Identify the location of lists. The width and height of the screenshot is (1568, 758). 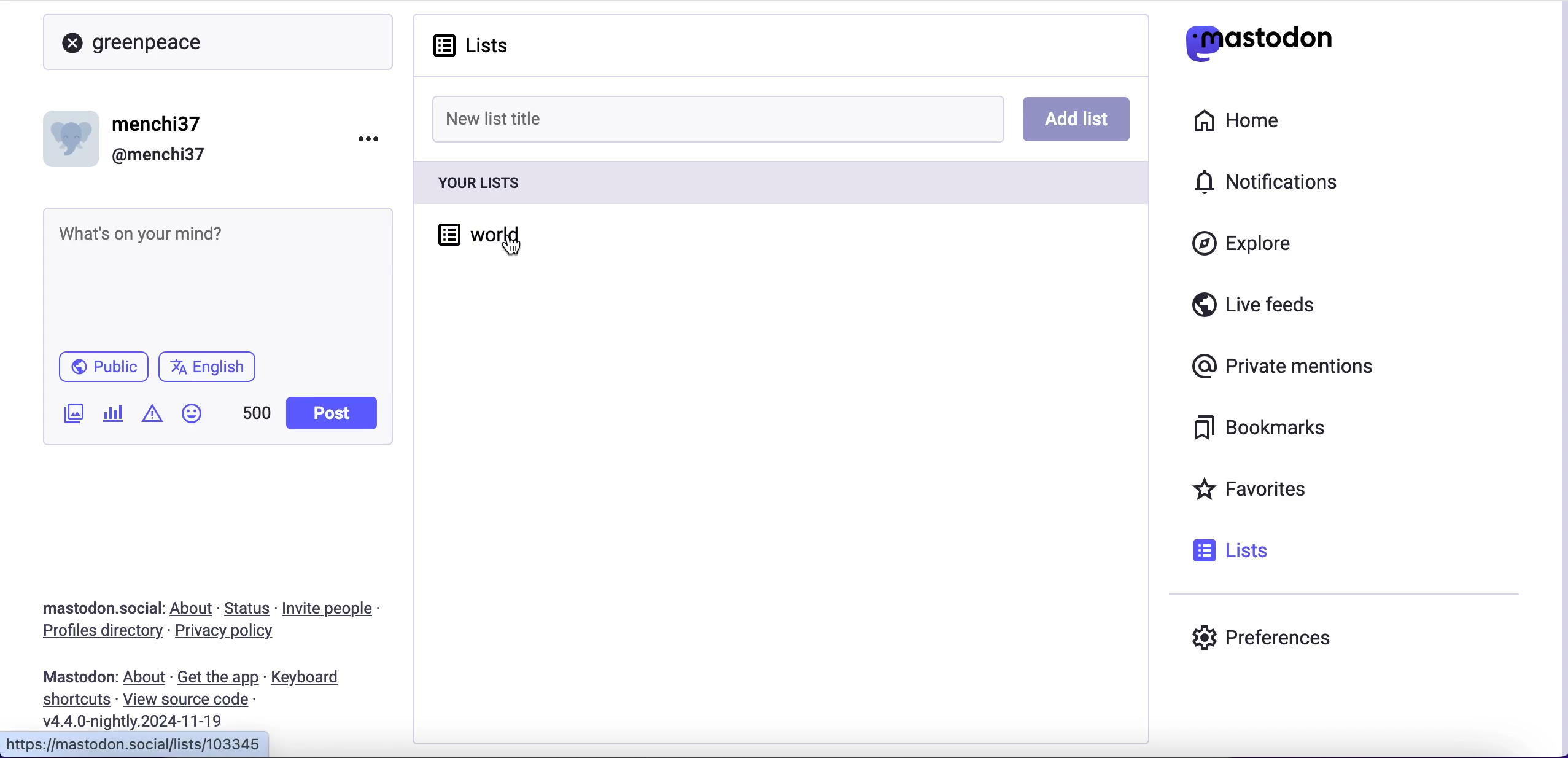
(1231, 550).